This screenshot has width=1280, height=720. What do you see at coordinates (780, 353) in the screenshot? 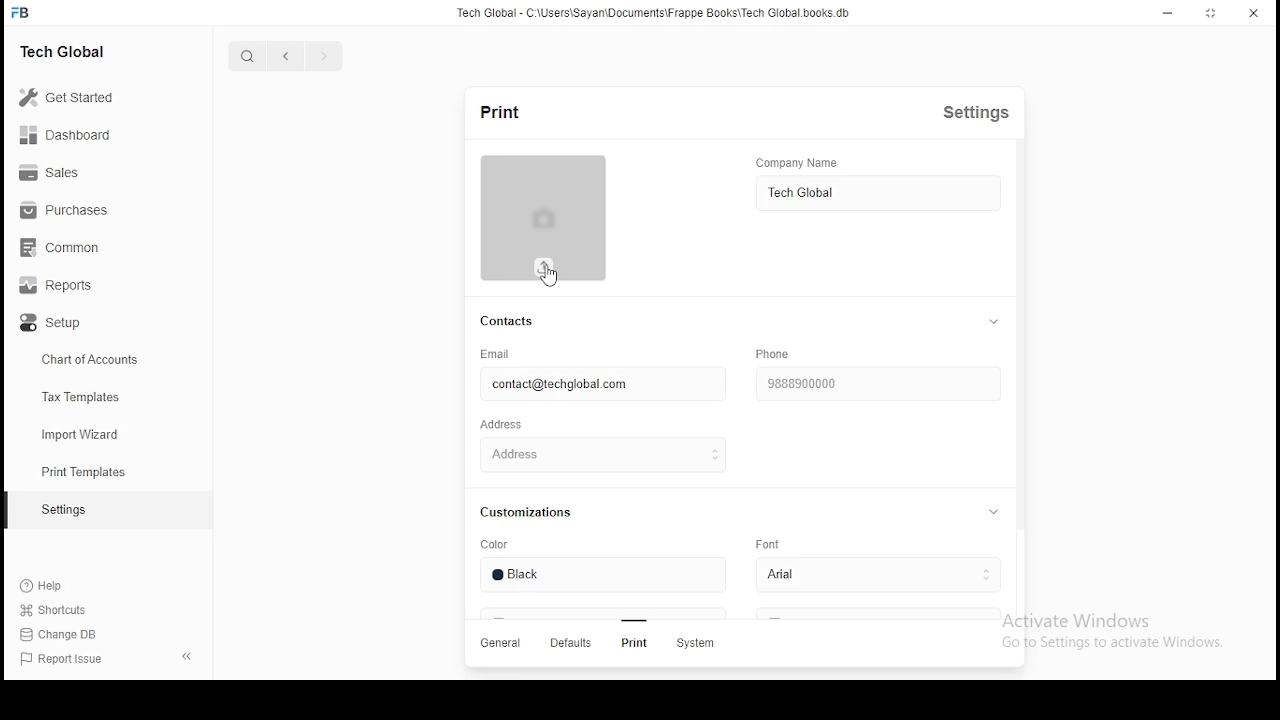
I see `Phone.` at bounding box center [780, 353].